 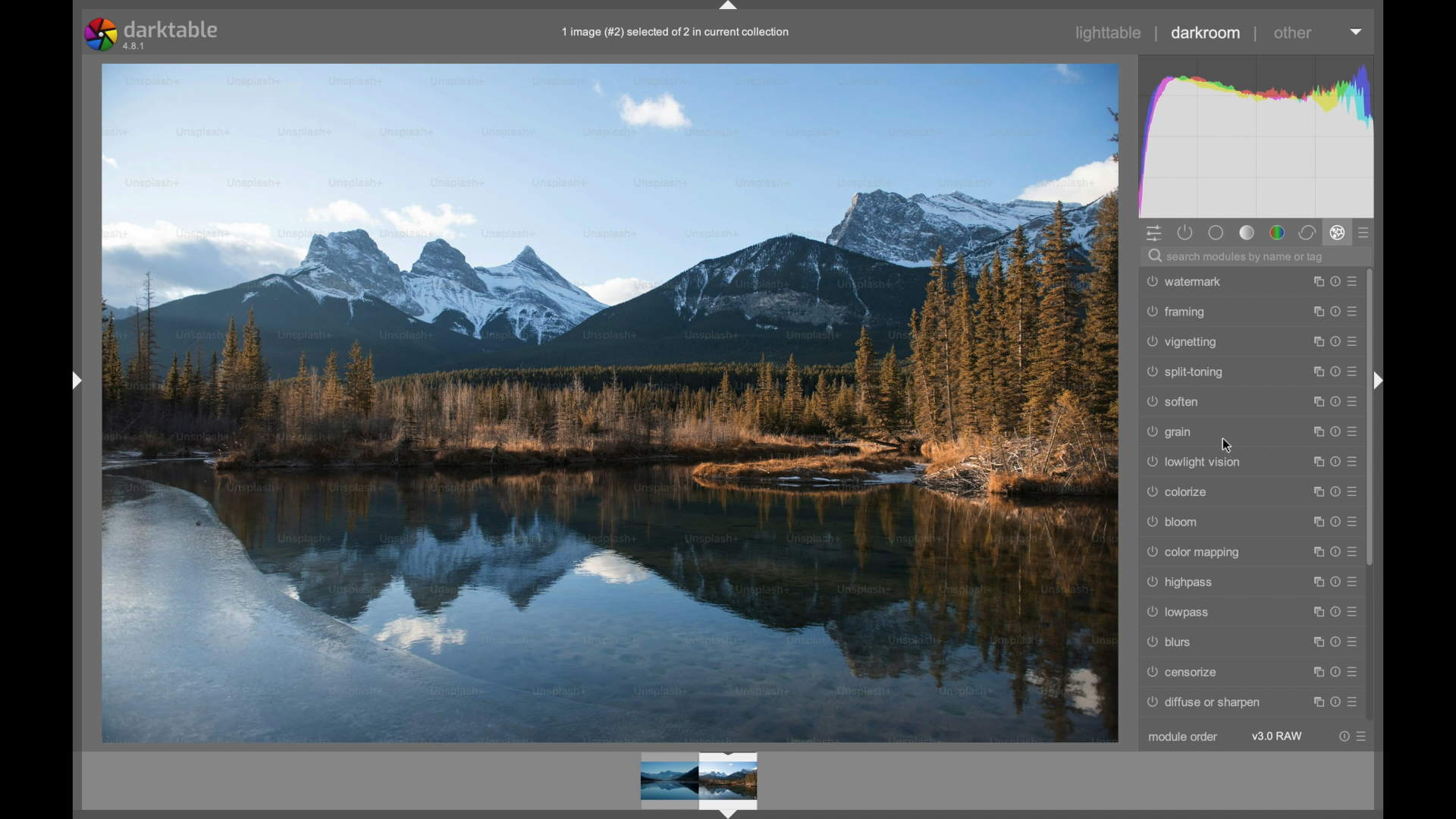 I want to click on darktable 4.8.1, so click(x=153, y=34).